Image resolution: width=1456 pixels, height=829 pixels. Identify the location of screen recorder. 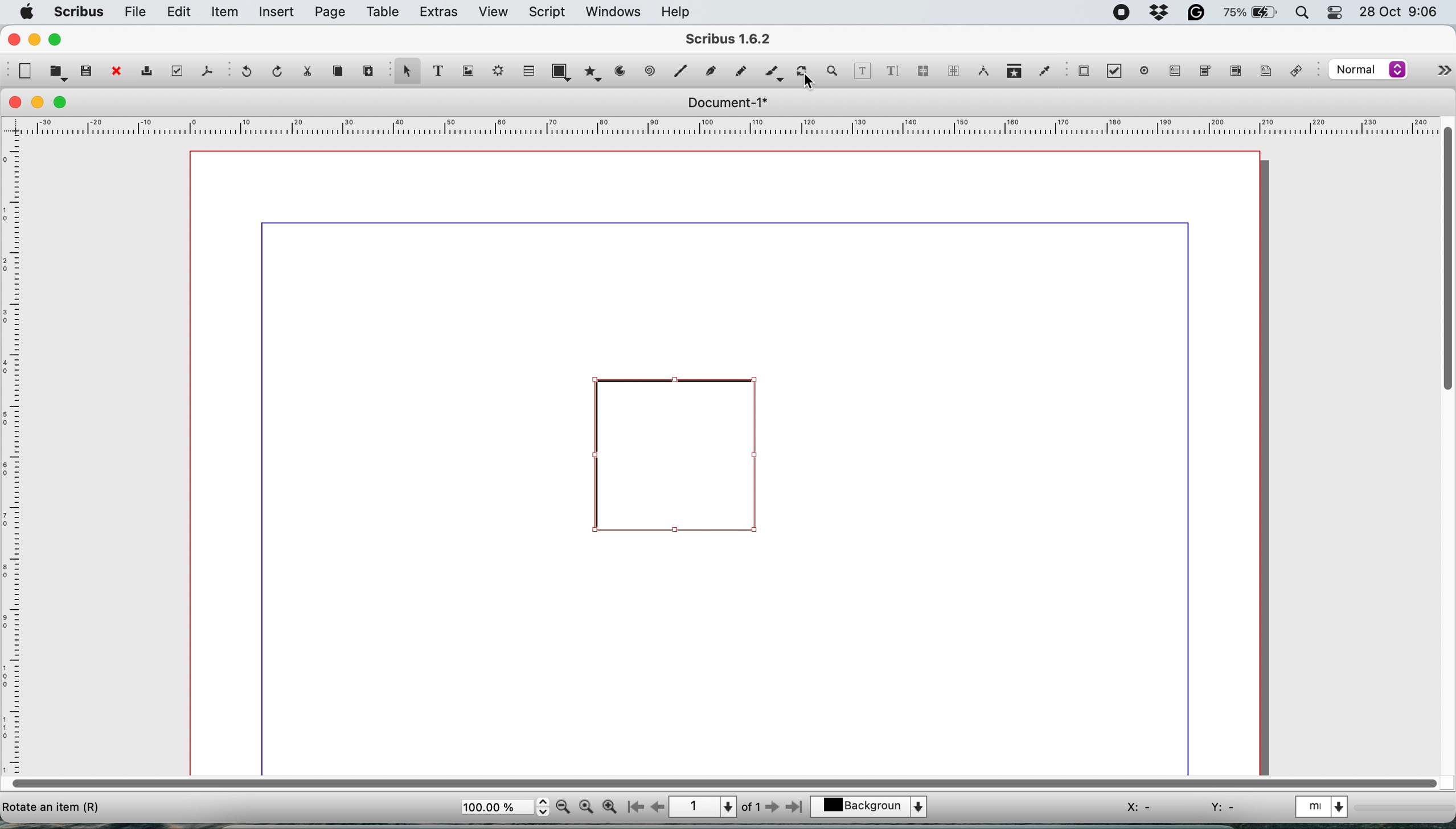
(1119, 11).